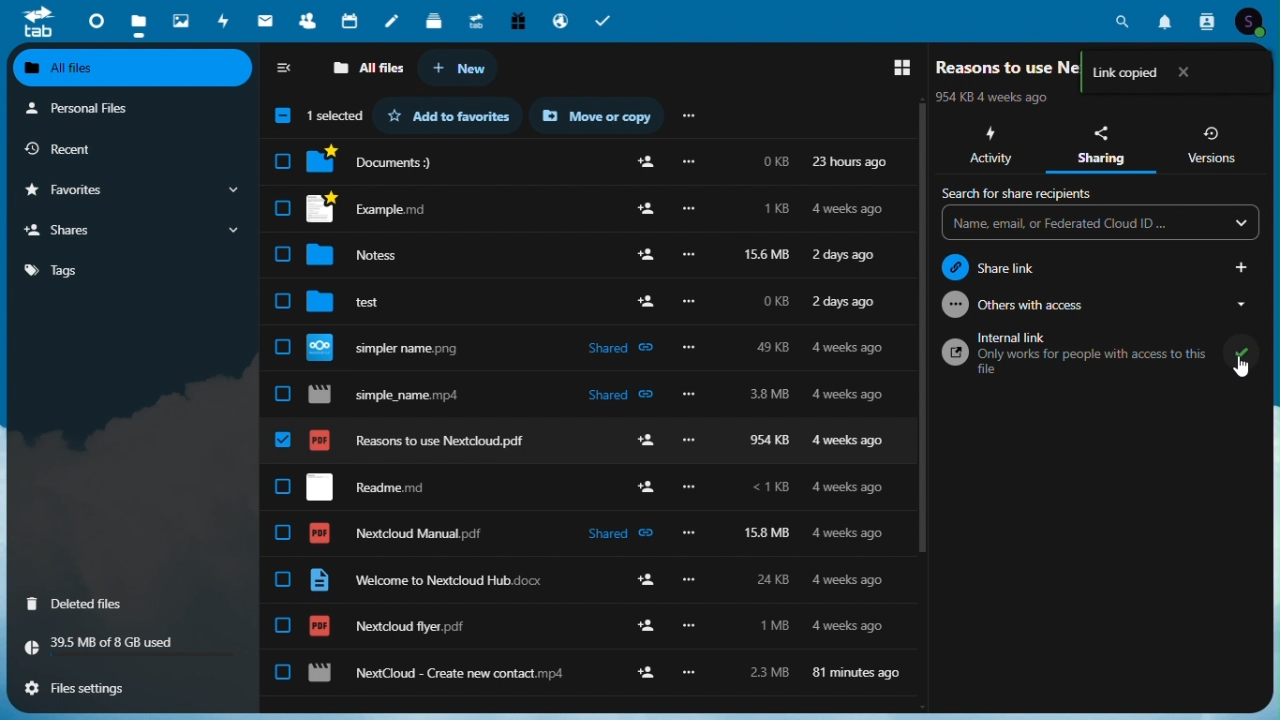 This screenshot has width=1280, height=720. Describe the element at coordinates (917, 326) in the screenshot. I see `scroll bar` at that location.